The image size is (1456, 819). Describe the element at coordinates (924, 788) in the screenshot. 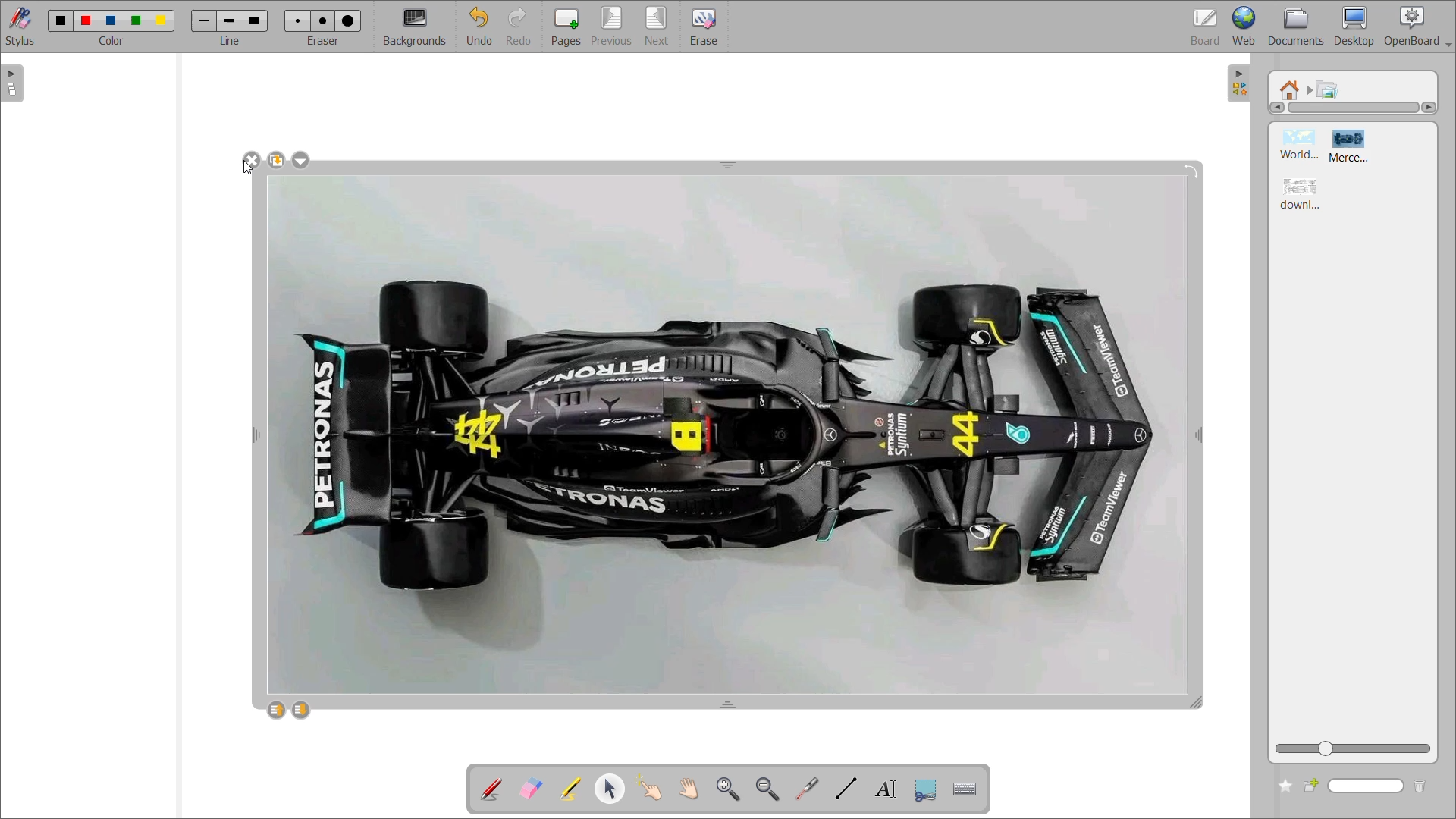

I see `capture part of the screen` at that location.